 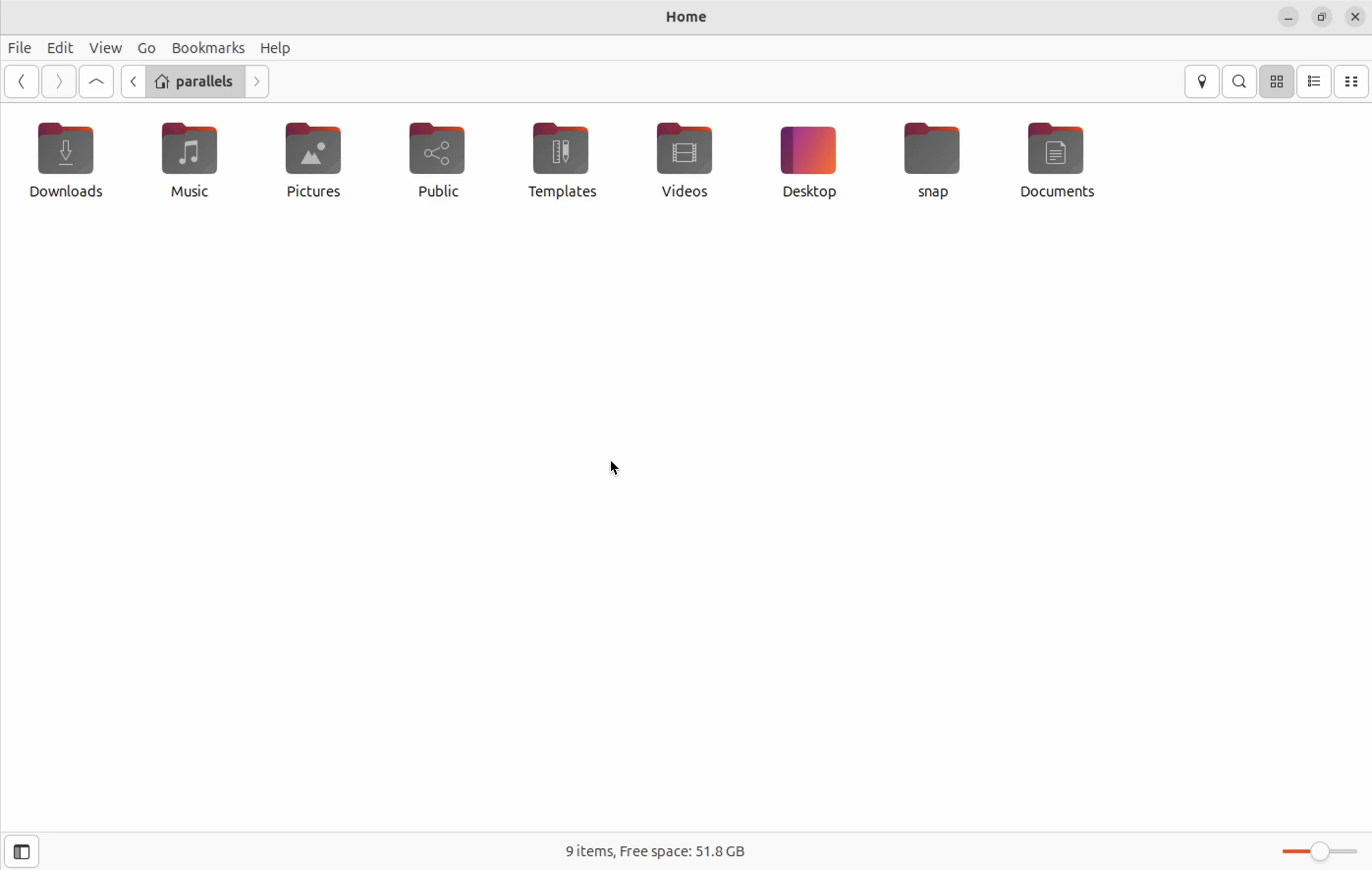 I want to click on icon view, so click(x=1279, y=81).